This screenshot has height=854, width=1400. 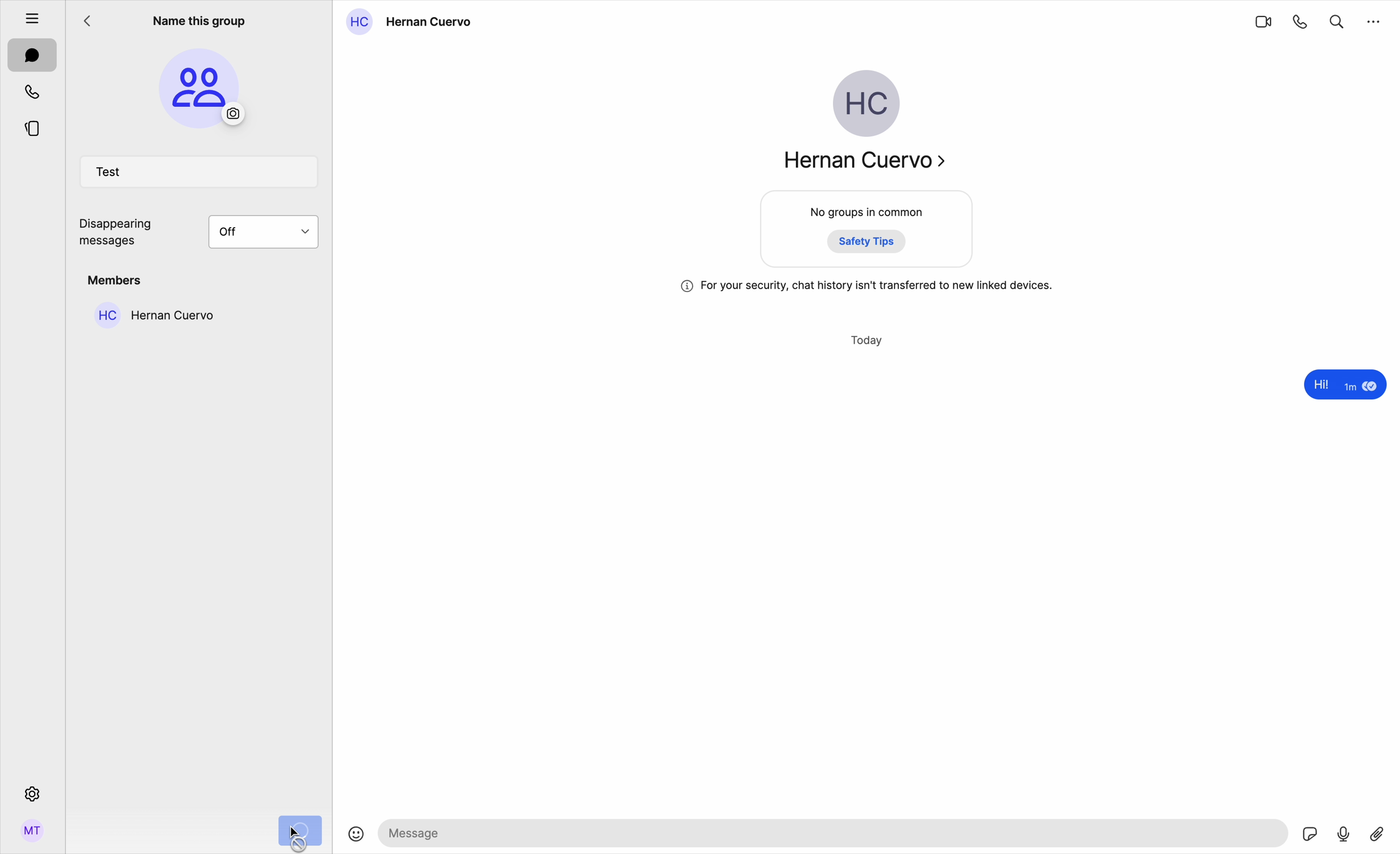 I want to click on disappearing messages options, so click(x=203, y=233).